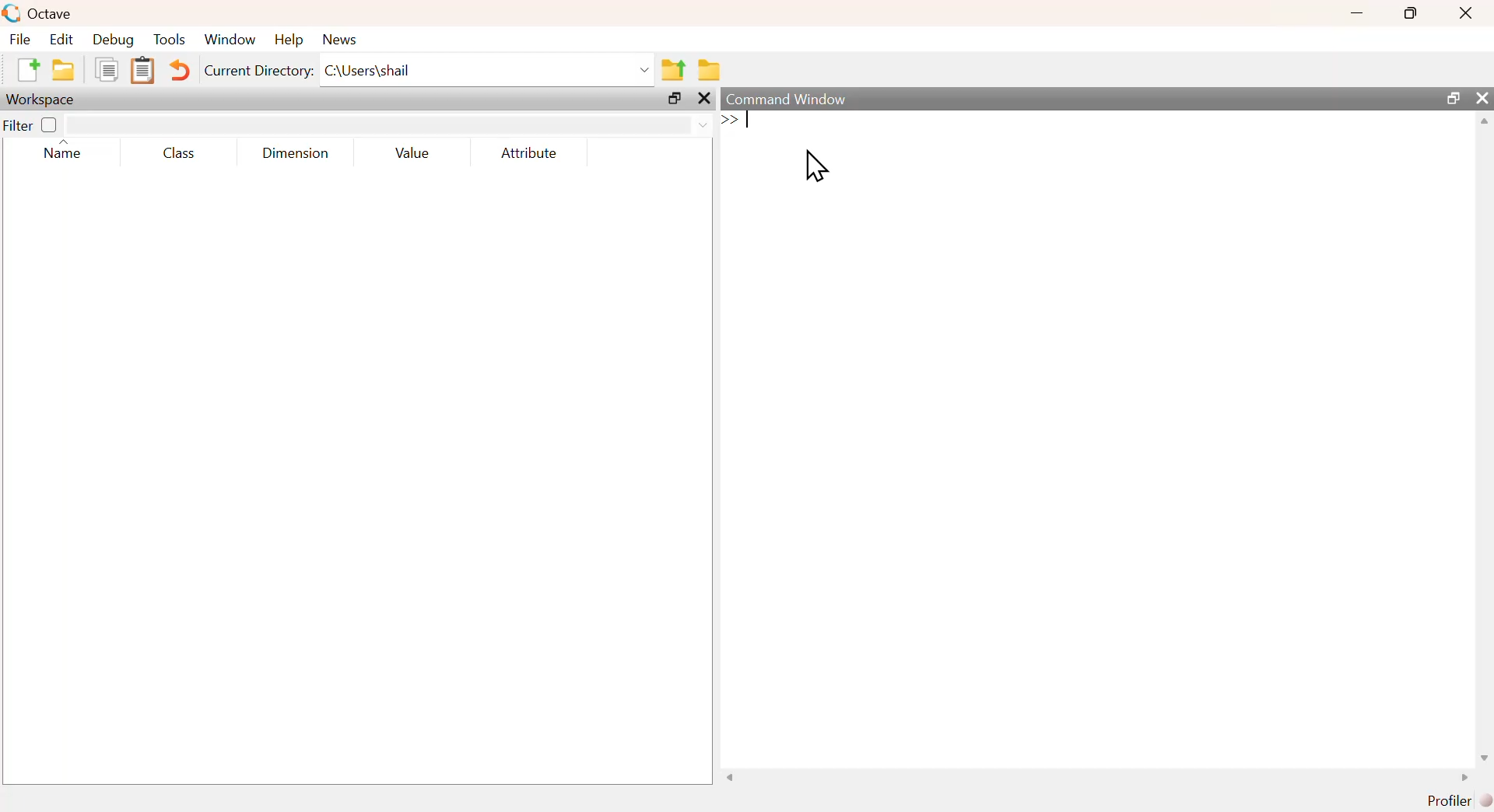  Describe the element at coordinates (44, 100) in the screenshot. I see `workspace` at that location.